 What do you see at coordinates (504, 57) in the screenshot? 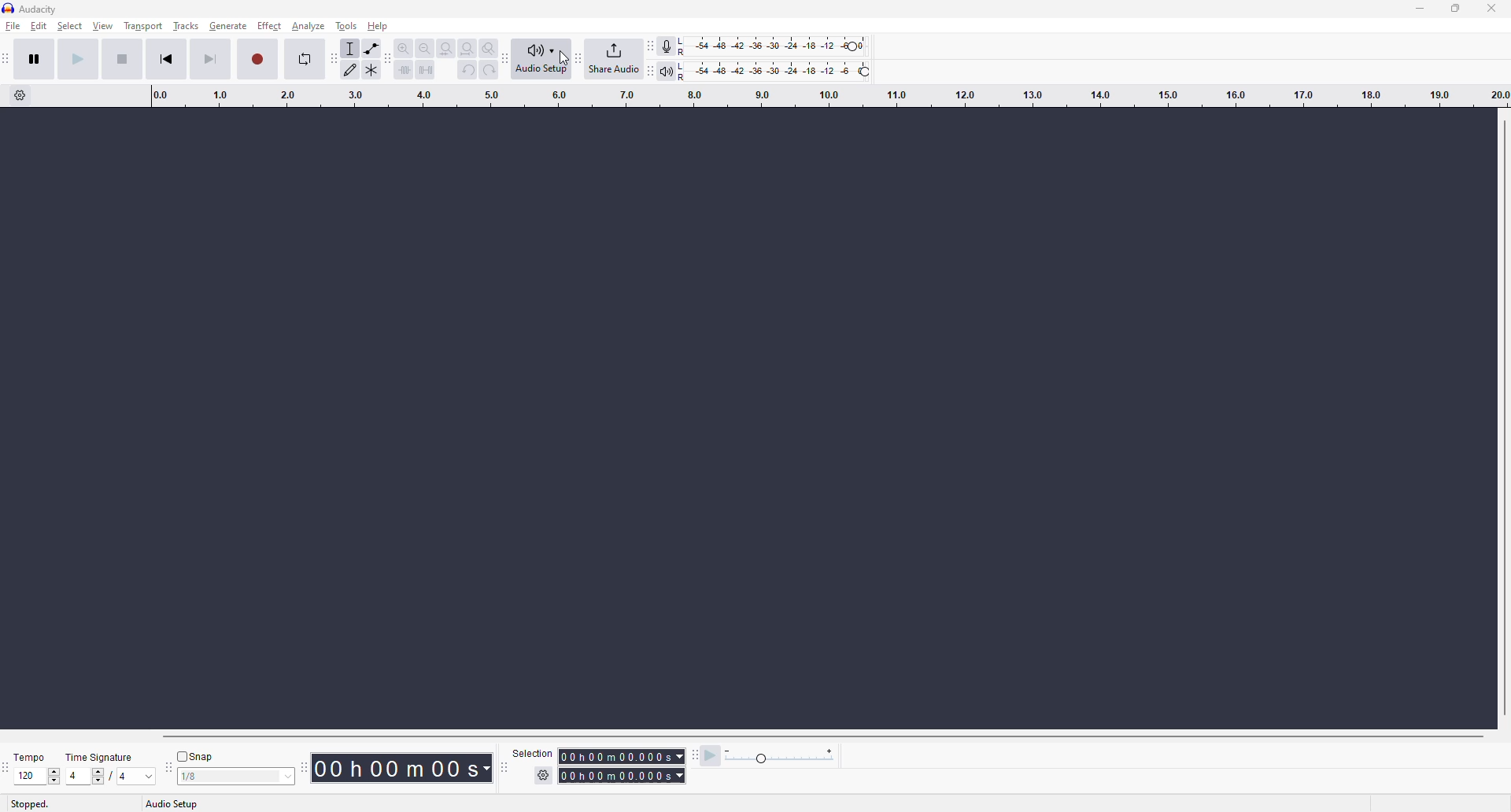
I see `audacity audio setup toolbar` at bounding box center [504, 57].